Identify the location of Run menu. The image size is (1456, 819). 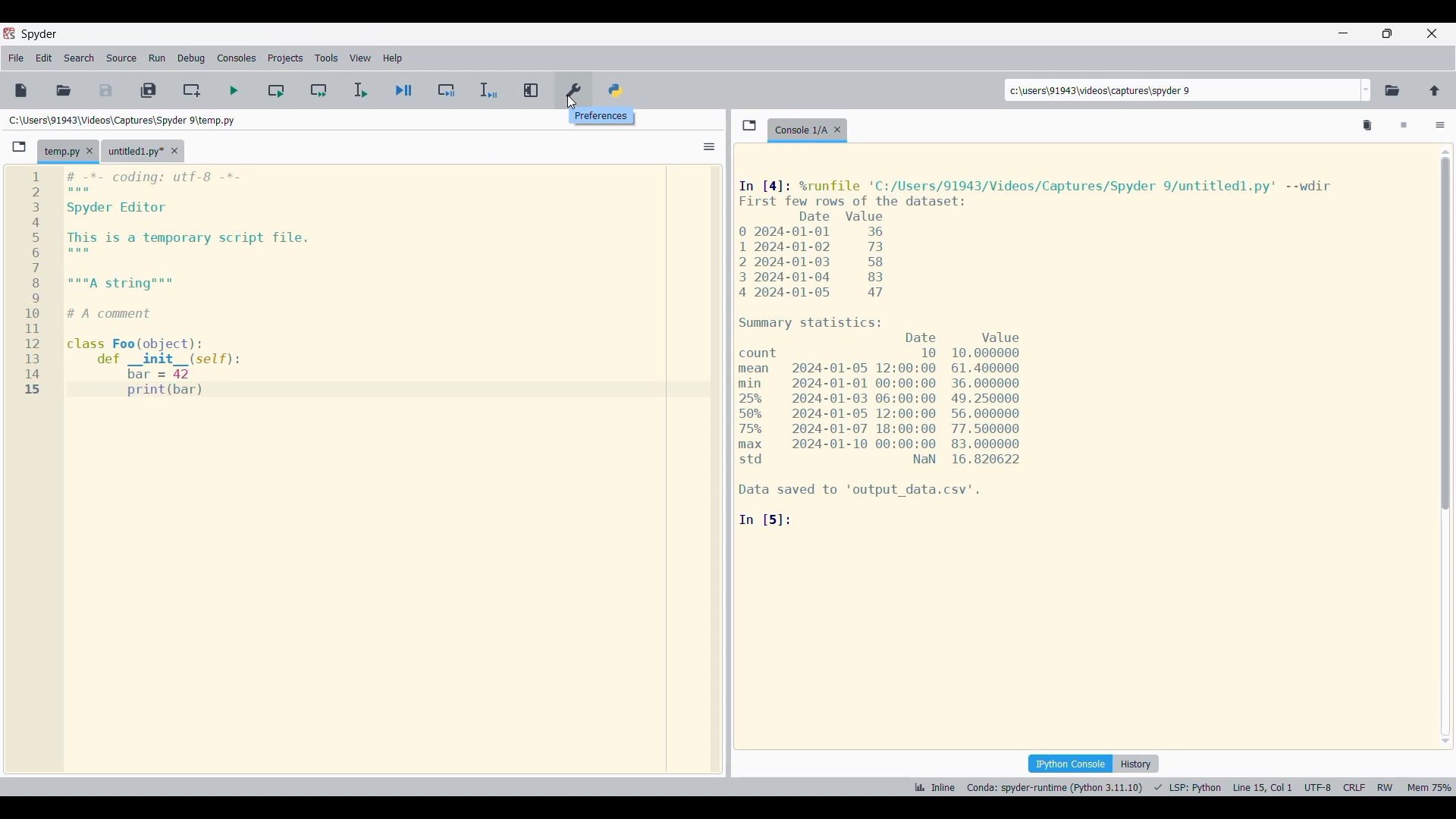
(158, 58).